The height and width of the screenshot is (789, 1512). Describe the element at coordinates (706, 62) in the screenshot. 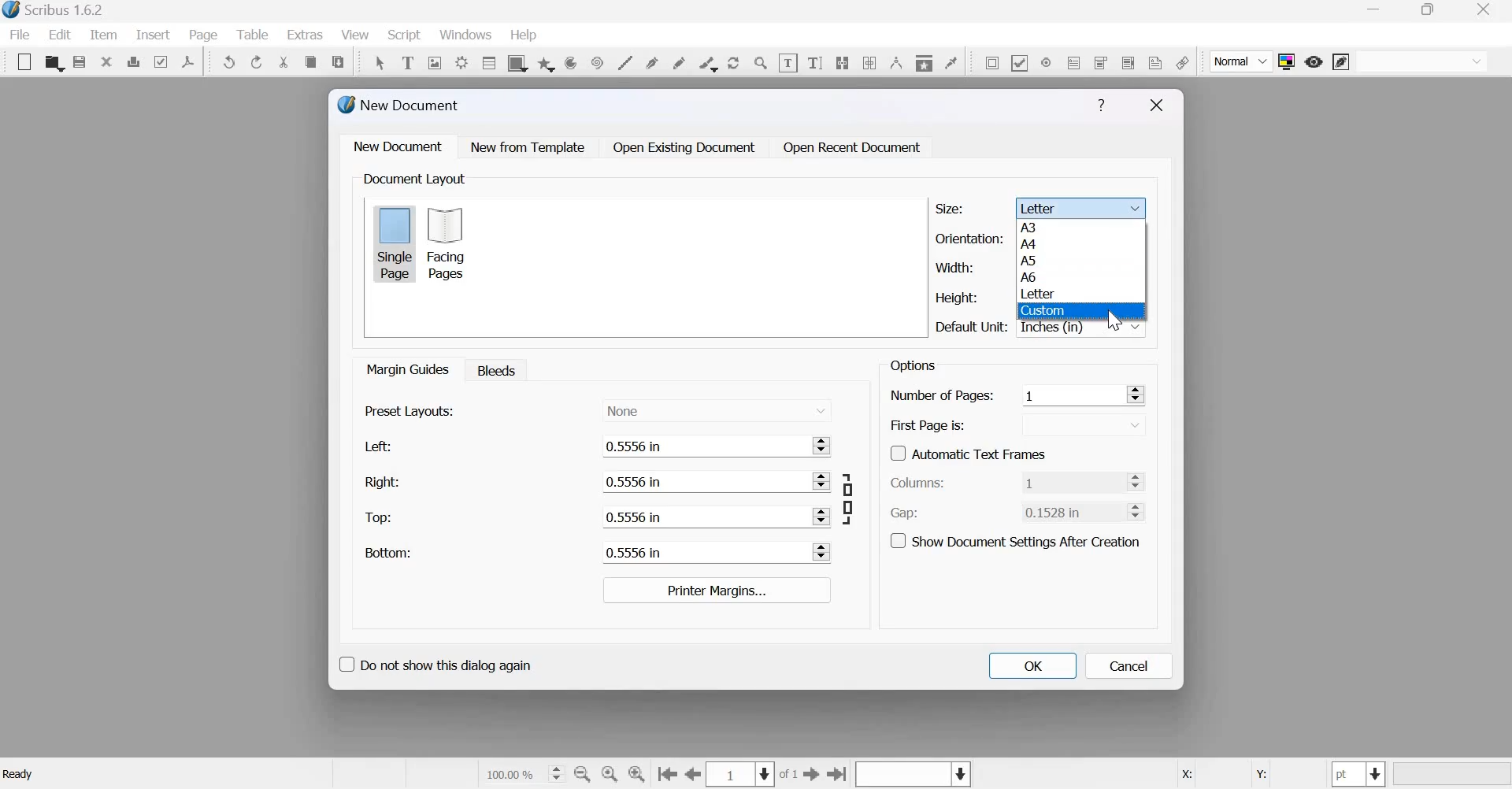

I see `calligraphic line` at that location.